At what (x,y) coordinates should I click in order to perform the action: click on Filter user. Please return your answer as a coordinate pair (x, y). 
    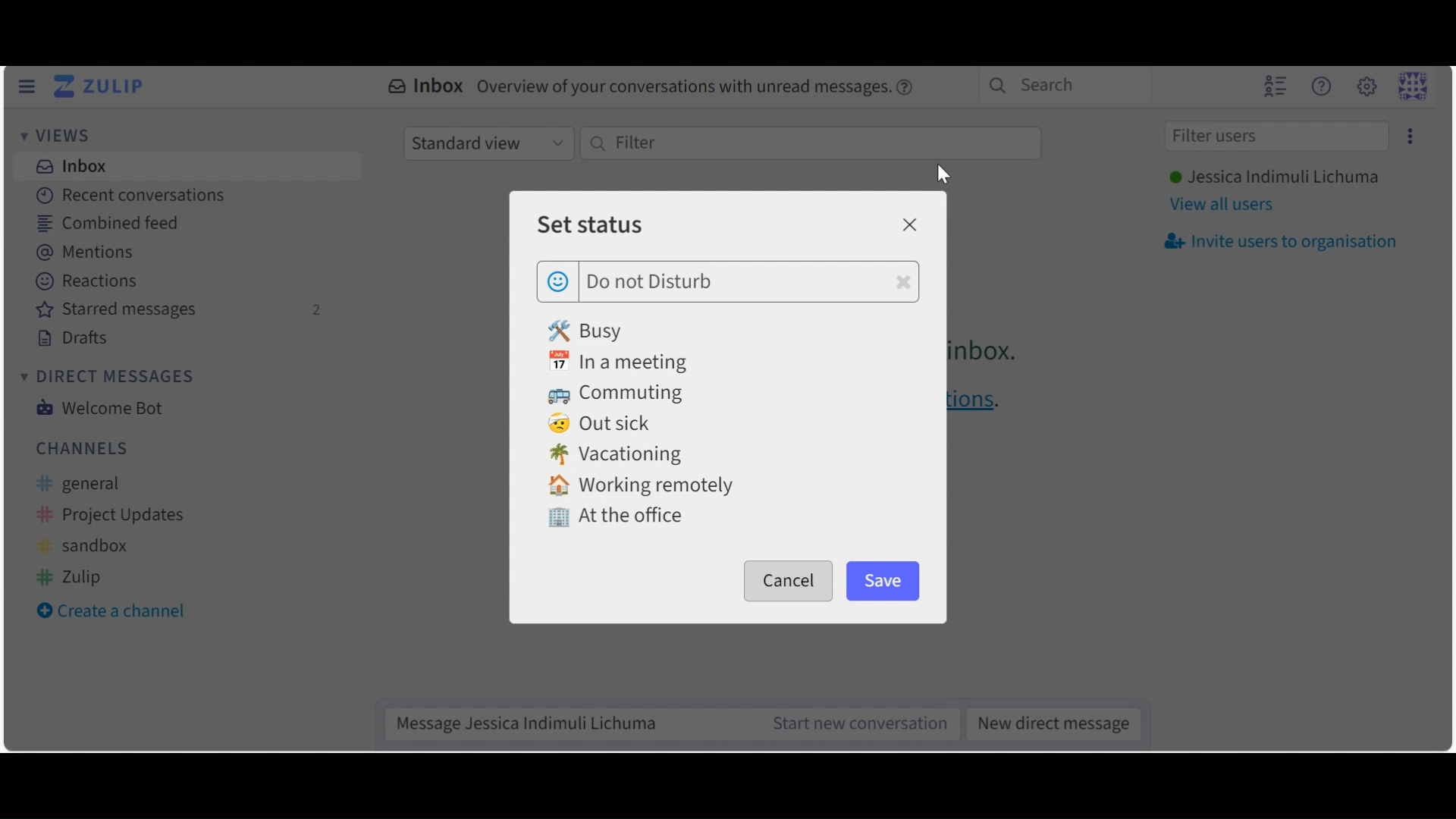
    Looking at the image, I should click on (1276, 137).